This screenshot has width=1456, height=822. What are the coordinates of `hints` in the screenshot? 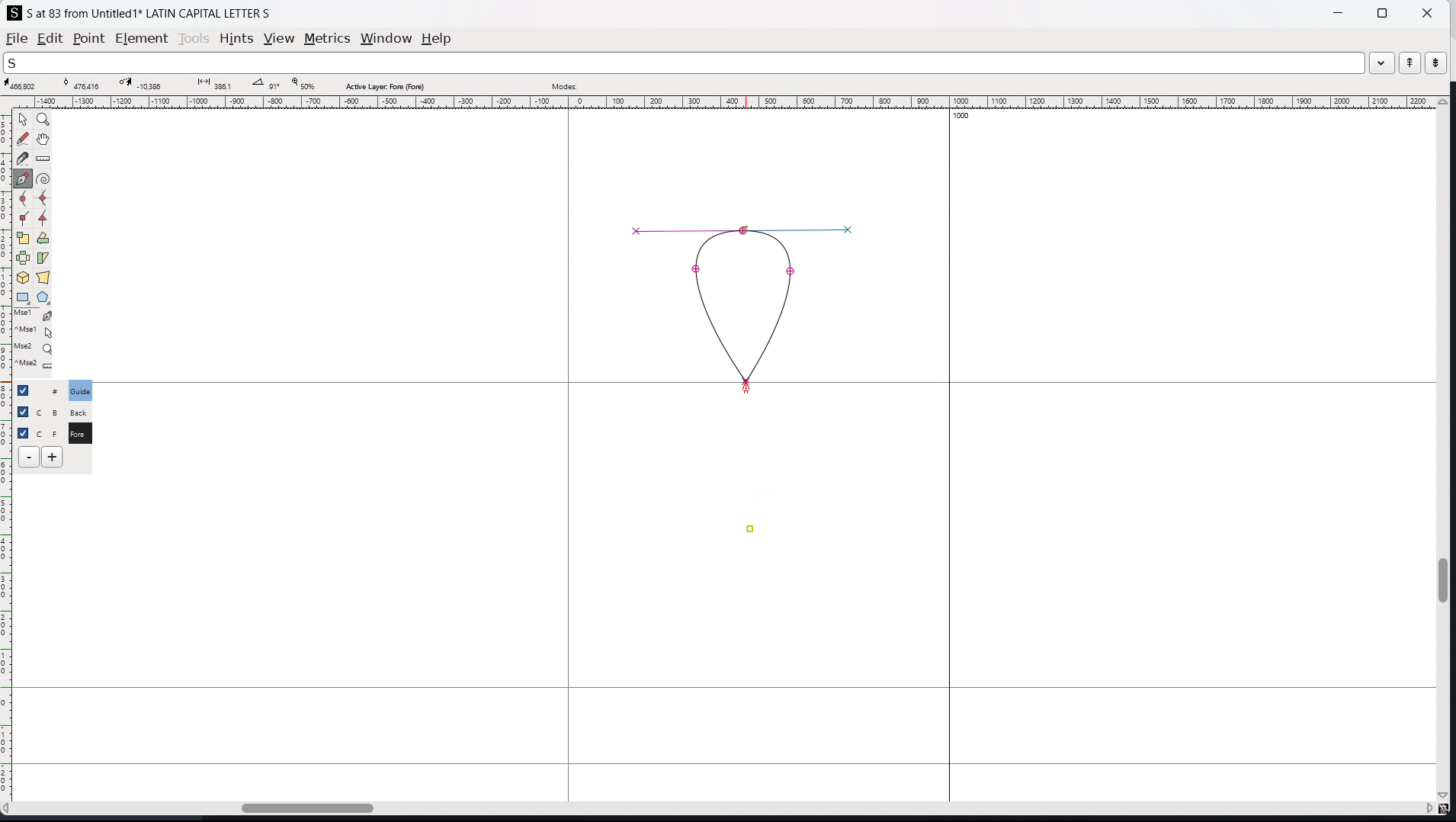 It's located at (237, 39).